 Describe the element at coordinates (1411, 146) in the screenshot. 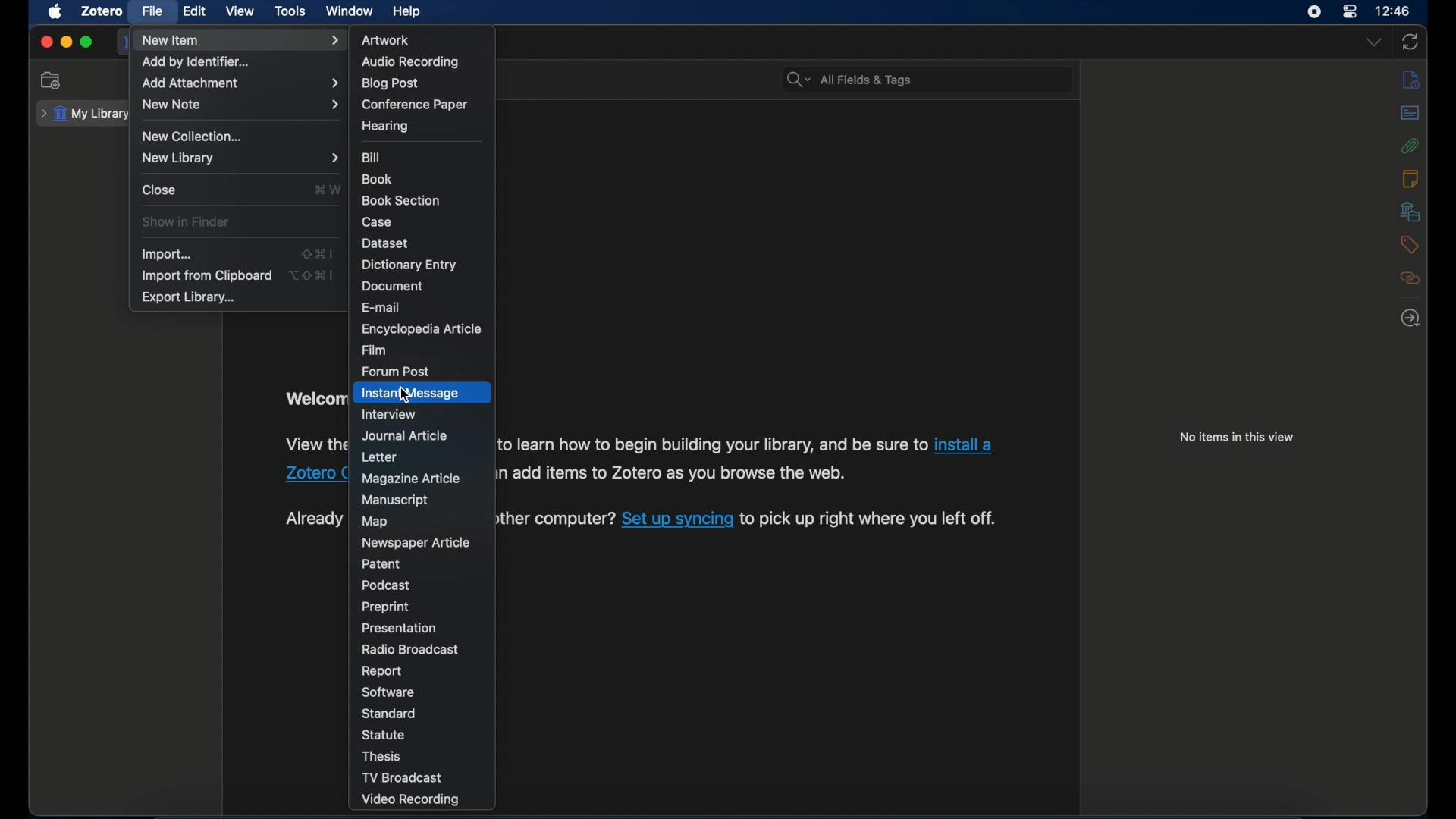

I see `attachments` at that location.